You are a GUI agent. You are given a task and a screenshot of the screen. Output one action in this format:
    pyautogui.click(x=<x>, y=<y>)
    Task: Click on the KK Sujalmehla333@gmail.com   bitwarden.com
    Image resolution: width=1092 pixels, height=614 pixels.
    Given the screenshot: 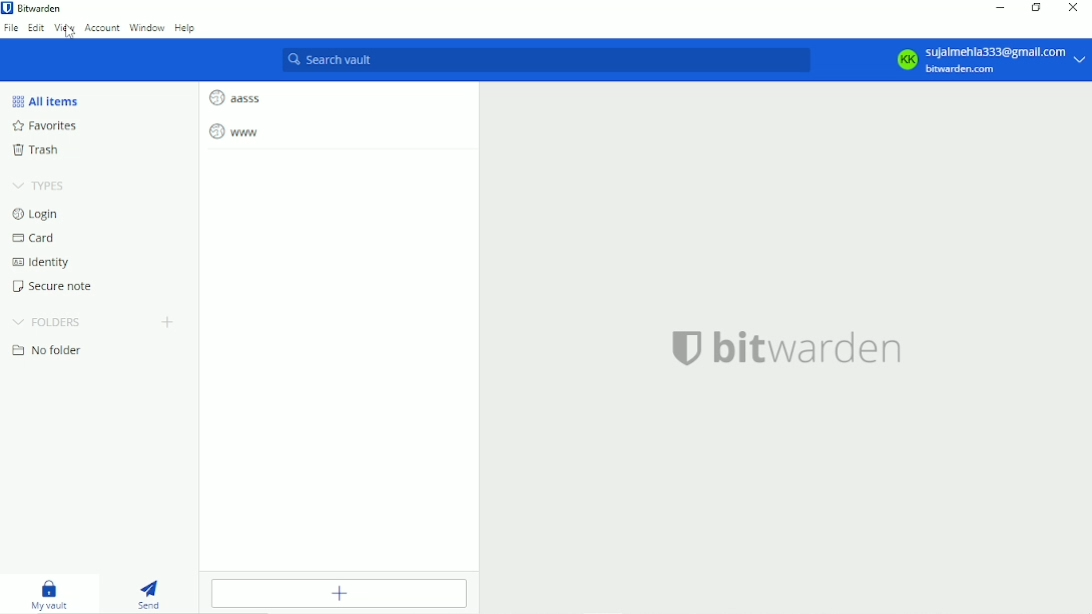 What is the action you would take?
    pyautogui.click(x=988, y=58)
    